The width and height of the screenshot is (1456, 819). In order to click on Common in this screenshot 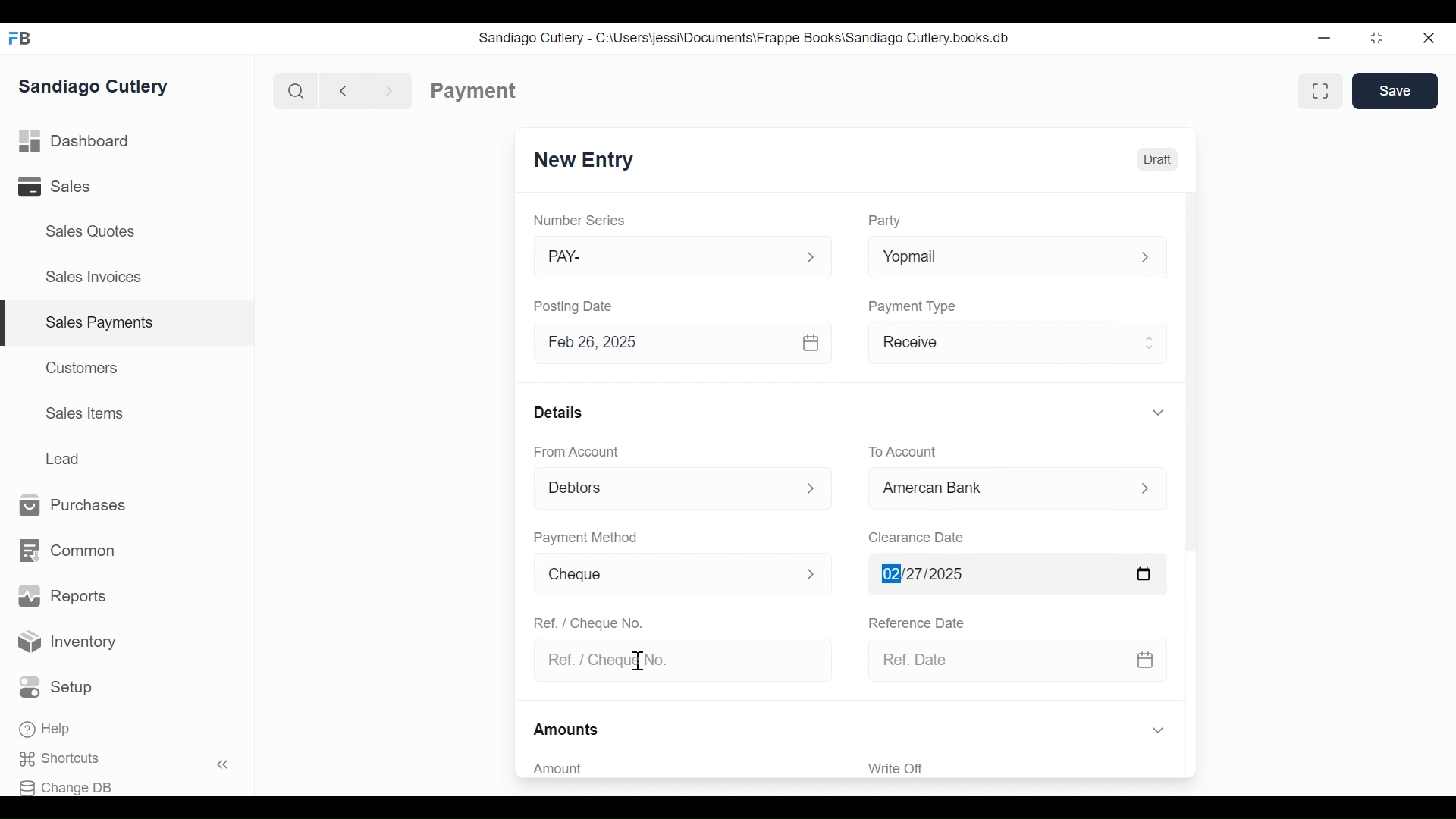, I will do `click(66, 551)`.